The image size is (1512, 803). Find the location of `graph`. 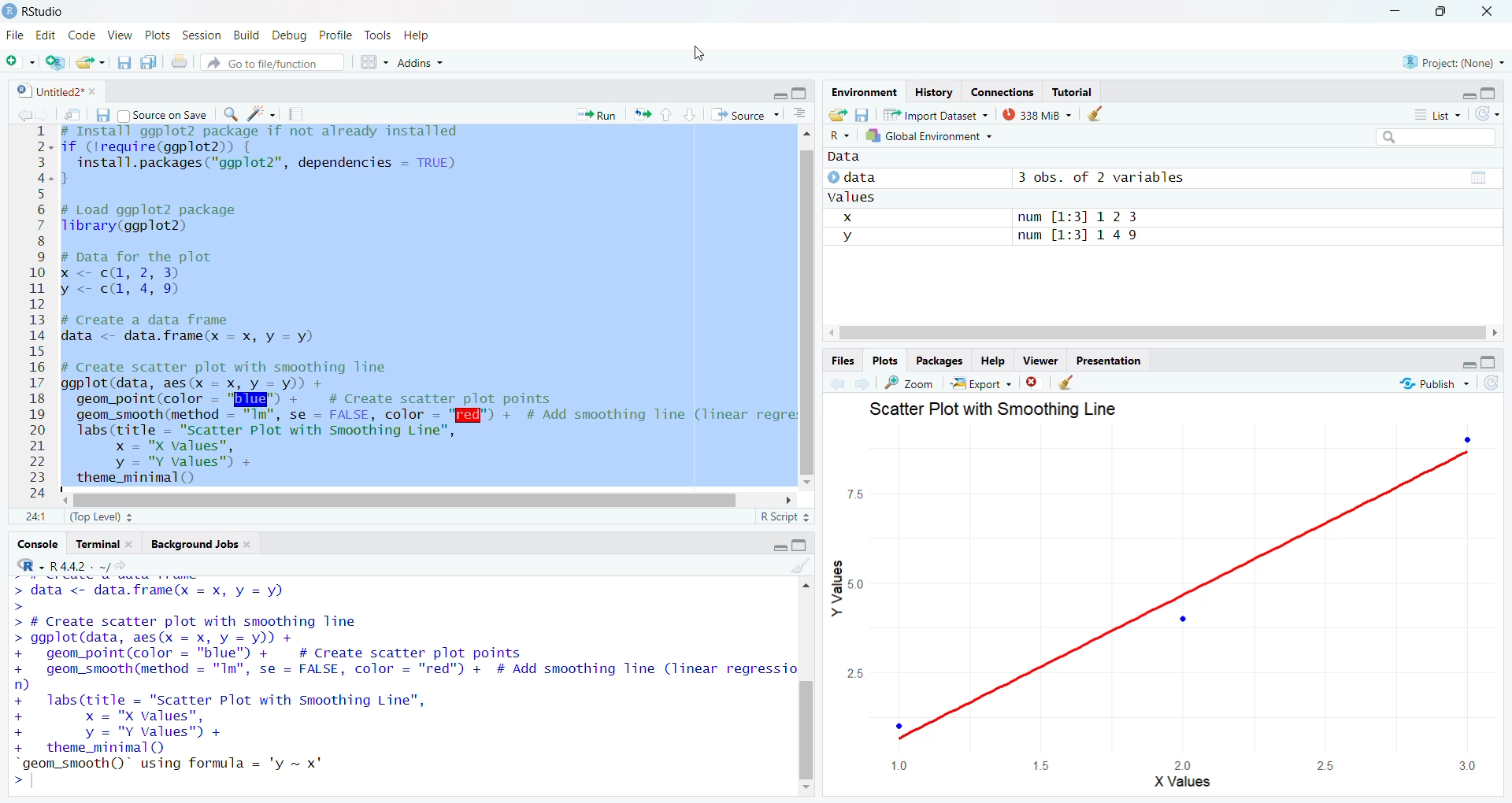

graph is located at coordinates (1182, 607).